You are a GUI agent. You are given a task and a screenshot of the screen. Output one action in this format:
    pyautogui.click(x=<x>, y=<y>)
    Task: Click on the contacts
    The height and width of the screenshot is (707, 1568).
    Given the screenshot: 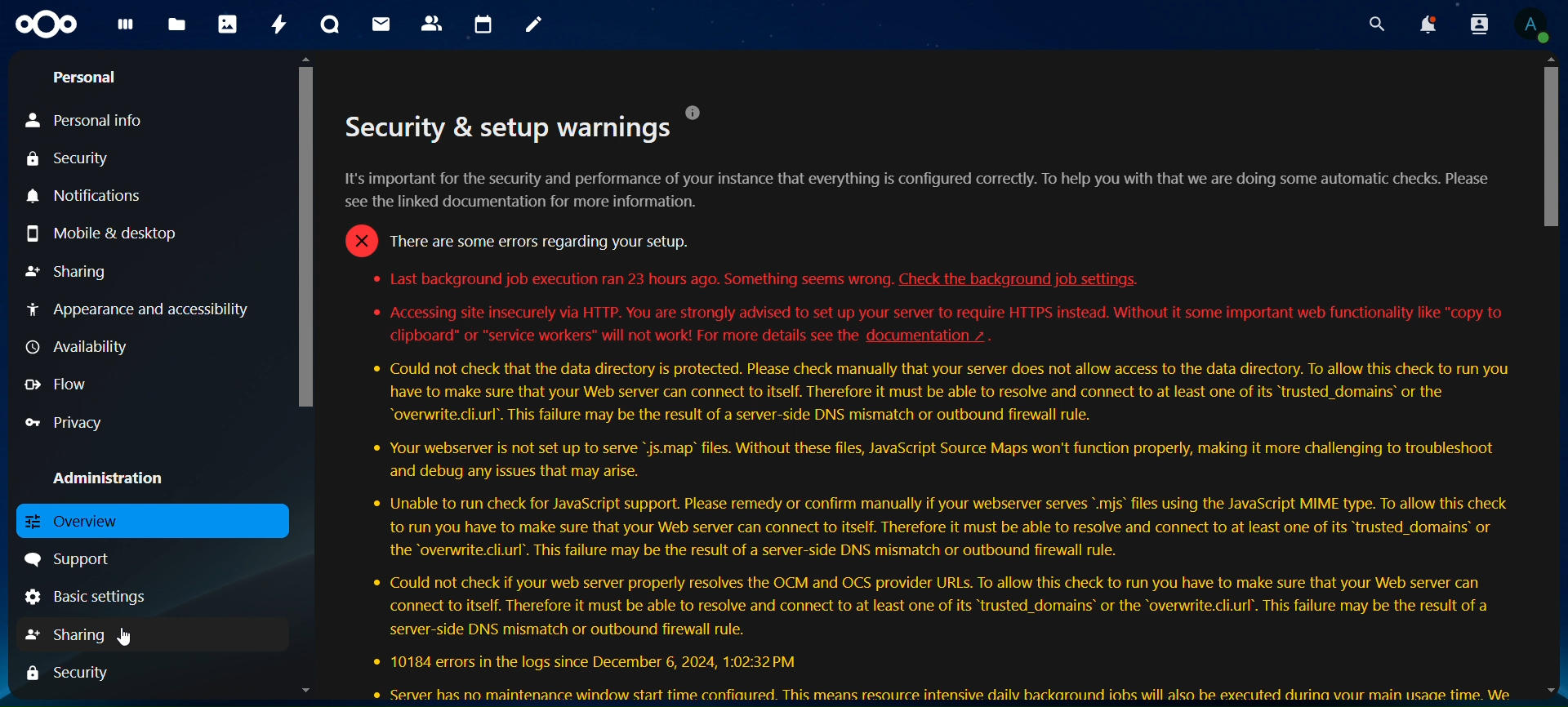 What is the action you would take?
    pyautogui.click(x=431, y=23)
    